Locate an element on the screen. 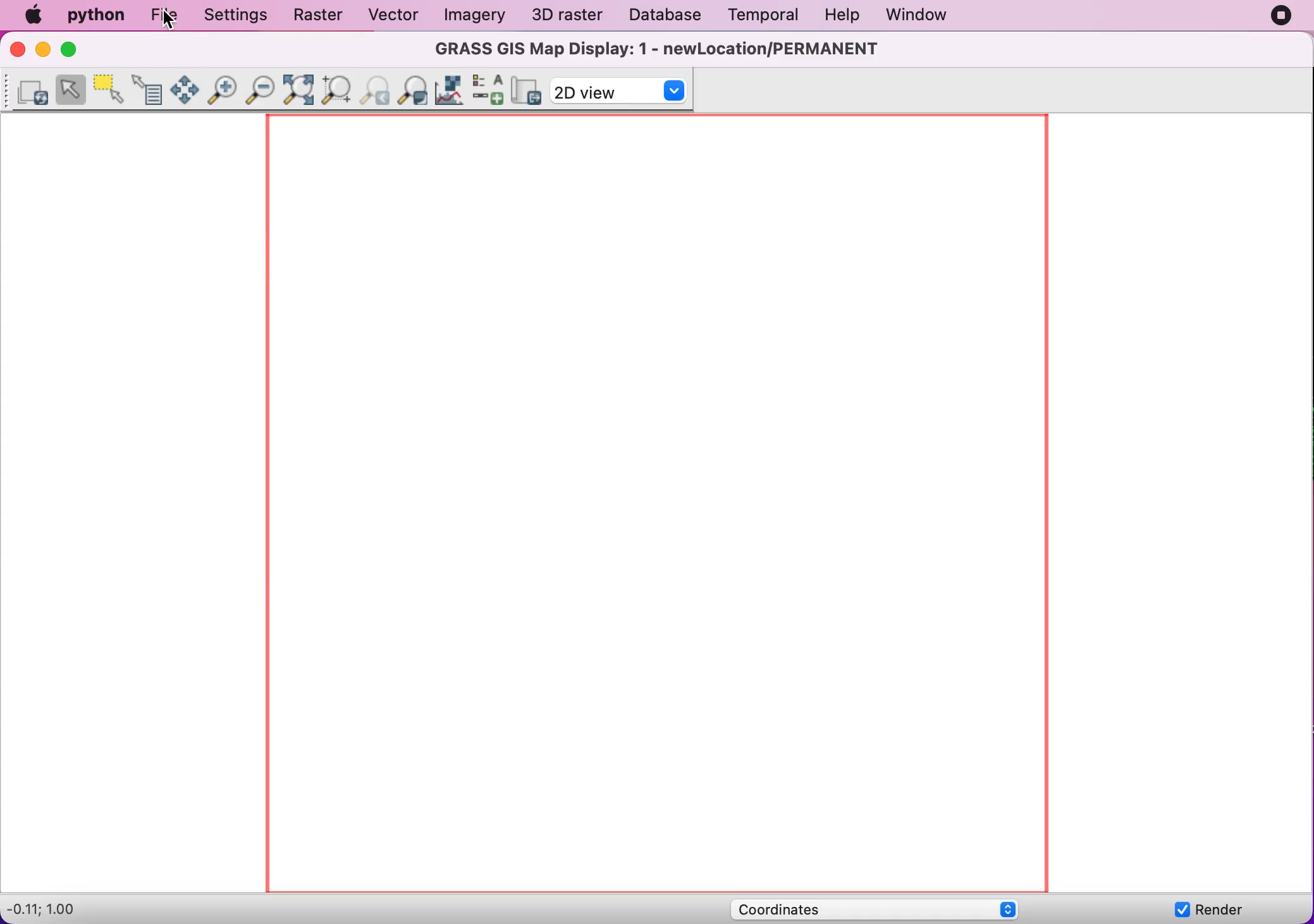 The height and width of the screenshot is (924, 1314). recording stopped is located at coordinates (1279, 16).